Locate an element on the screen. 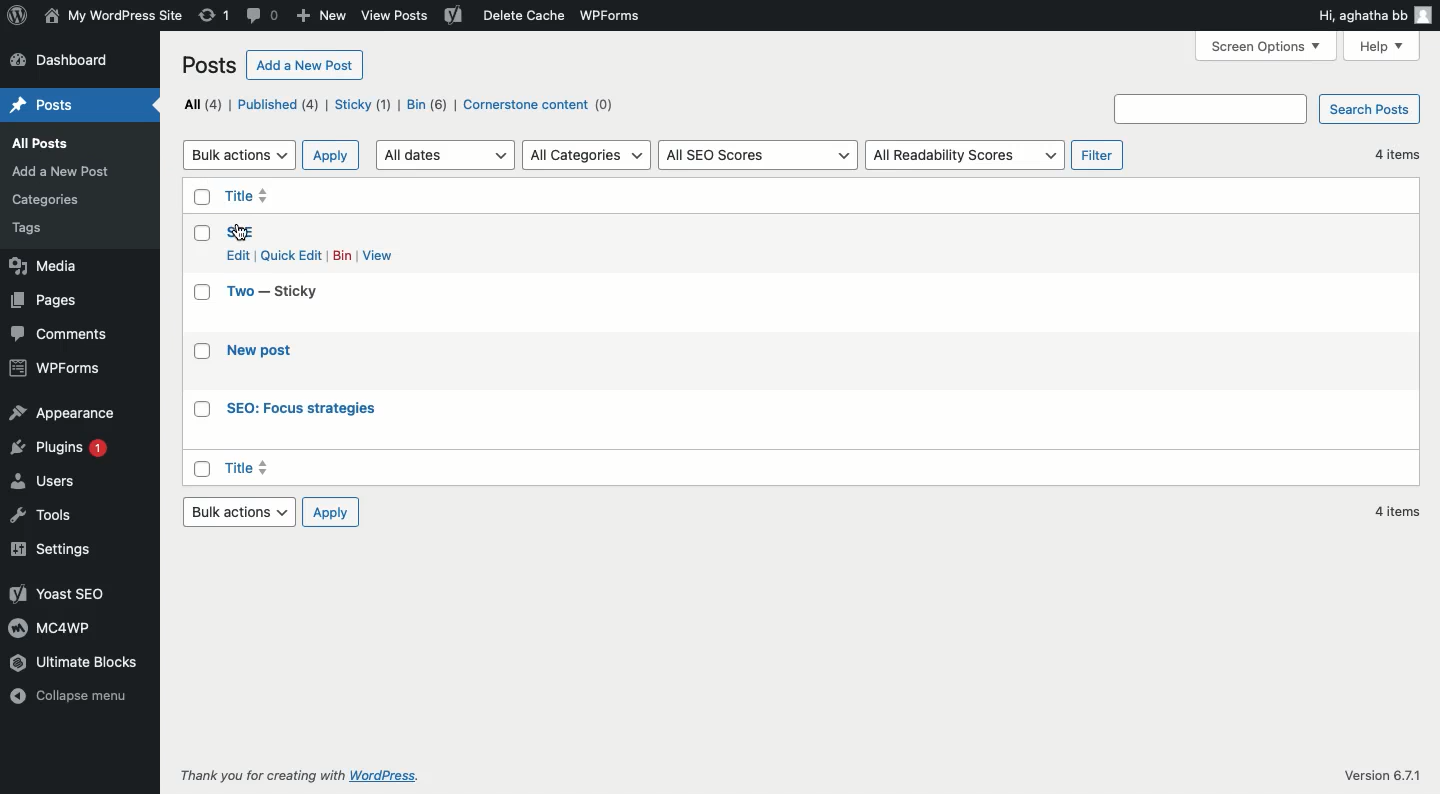 The image size is (1440, 794). Bin is located at coordinates (343, 256).